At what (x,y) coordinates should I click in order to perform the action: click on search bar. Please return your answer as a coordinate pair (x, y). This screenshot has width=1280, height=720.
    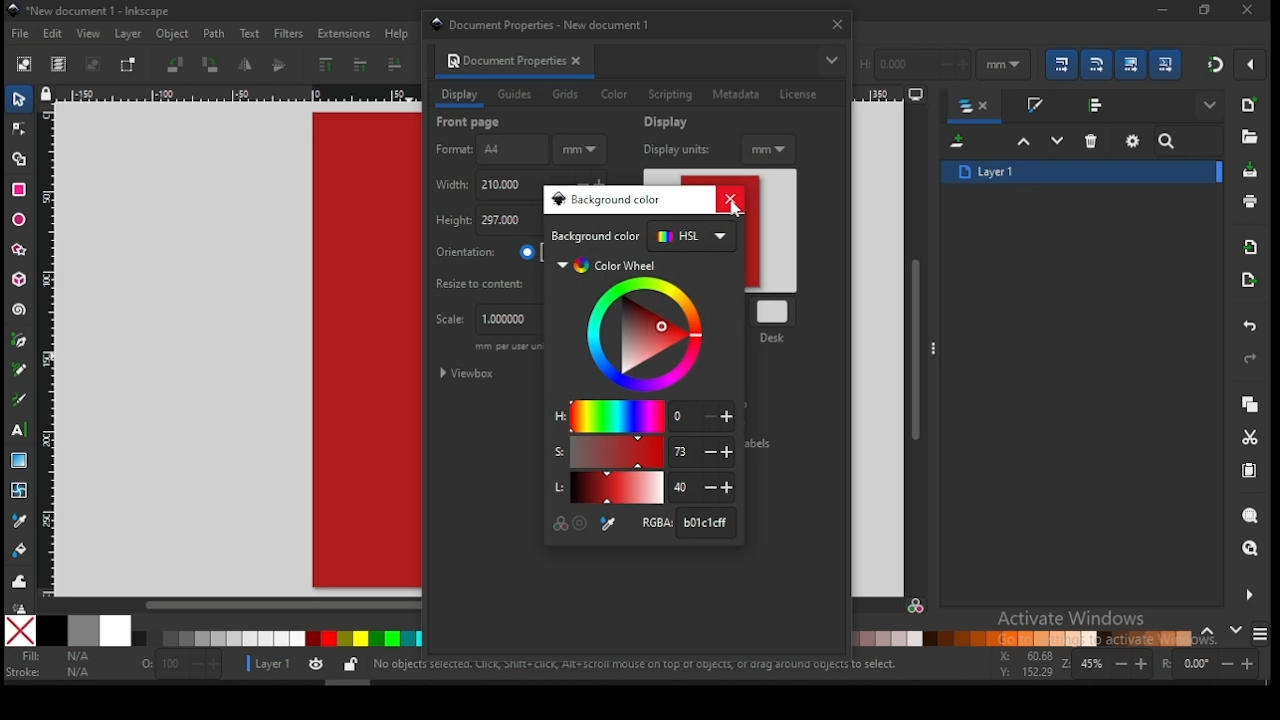
    Looking at the image, I should click on (1189, 141).